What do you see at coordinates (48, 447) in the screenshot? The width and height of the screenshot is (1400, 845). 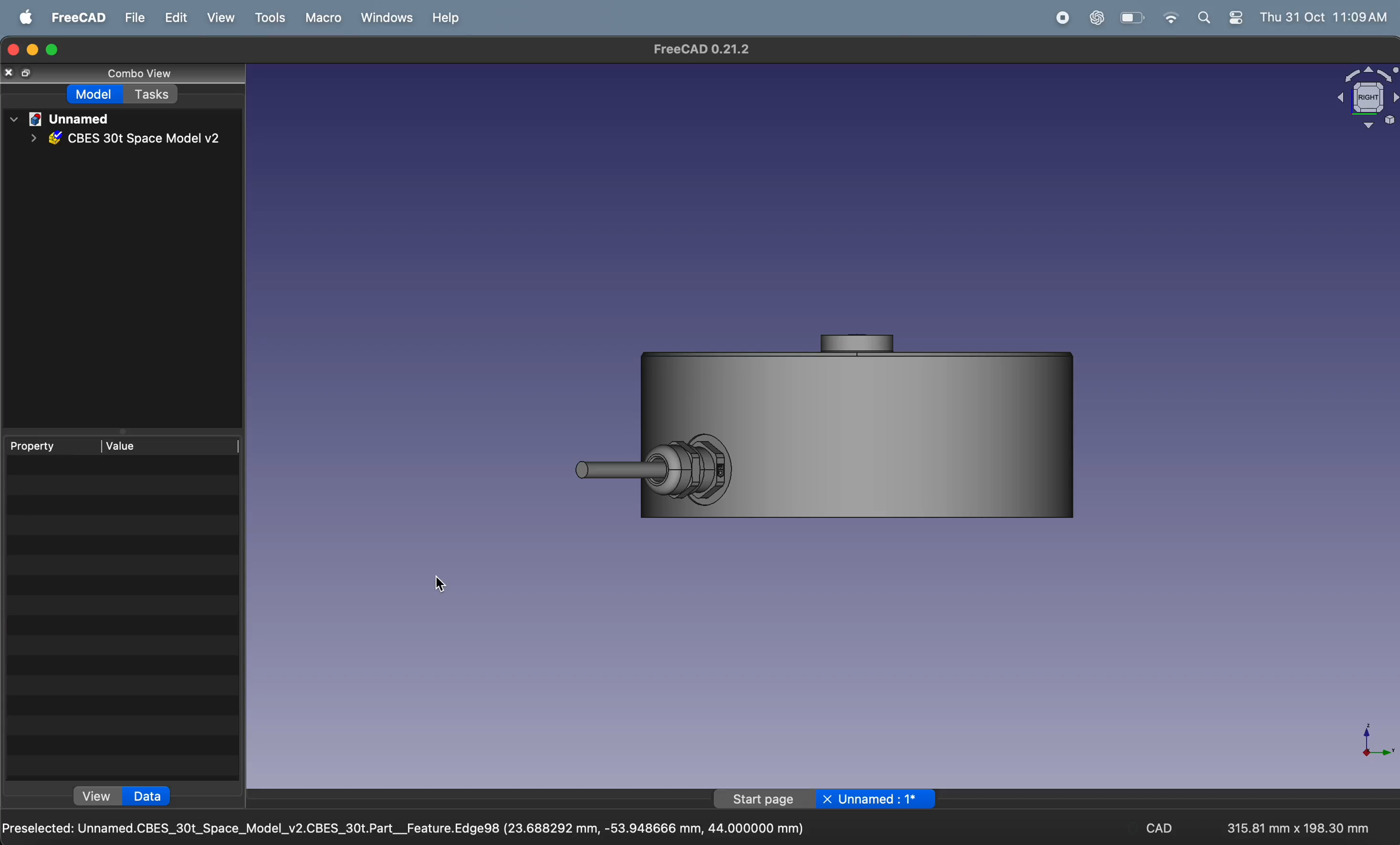 I see `property` at bounding box center [48, 447].